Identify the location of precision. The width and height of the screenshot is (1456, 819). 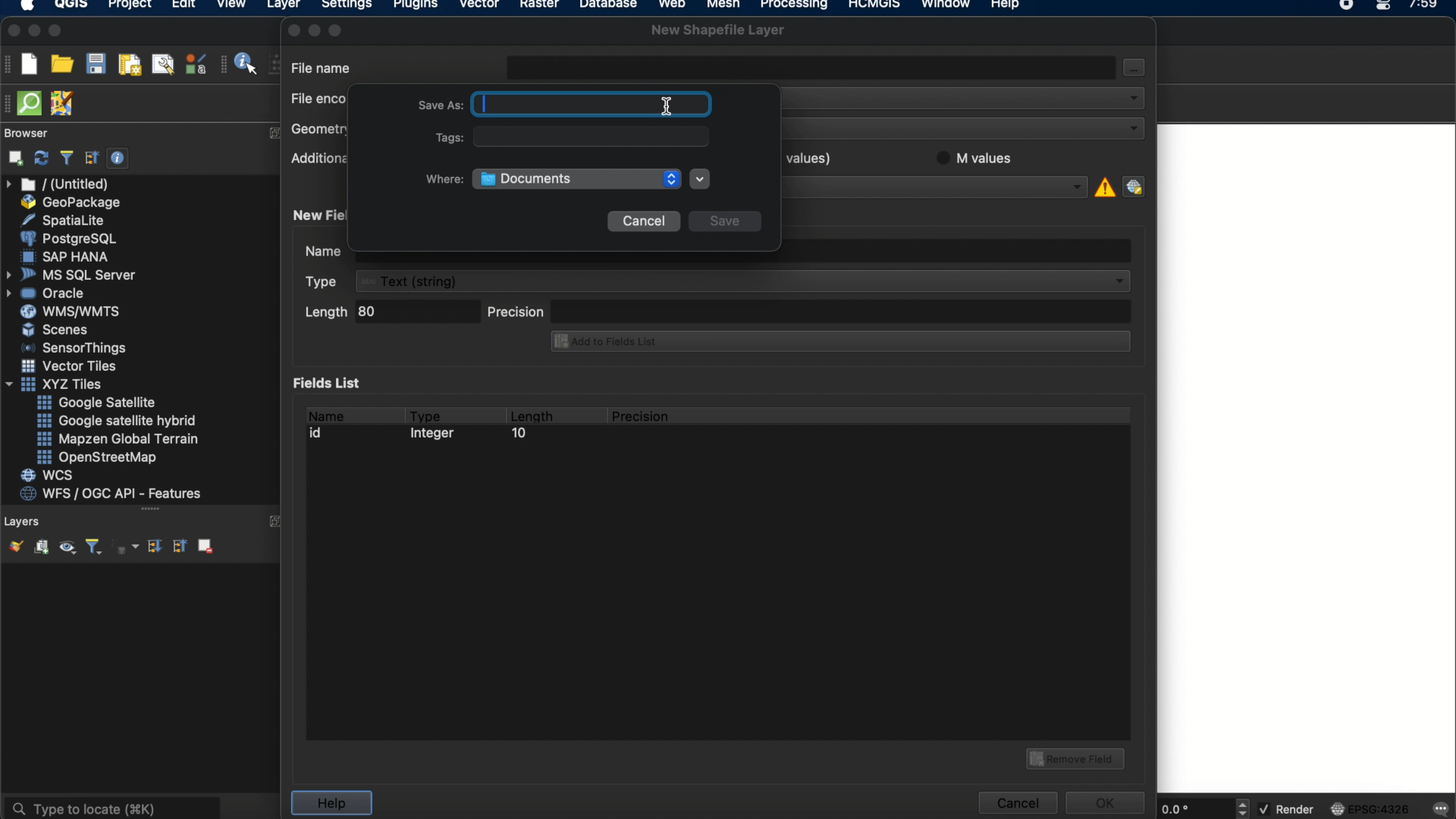
(809, 310).